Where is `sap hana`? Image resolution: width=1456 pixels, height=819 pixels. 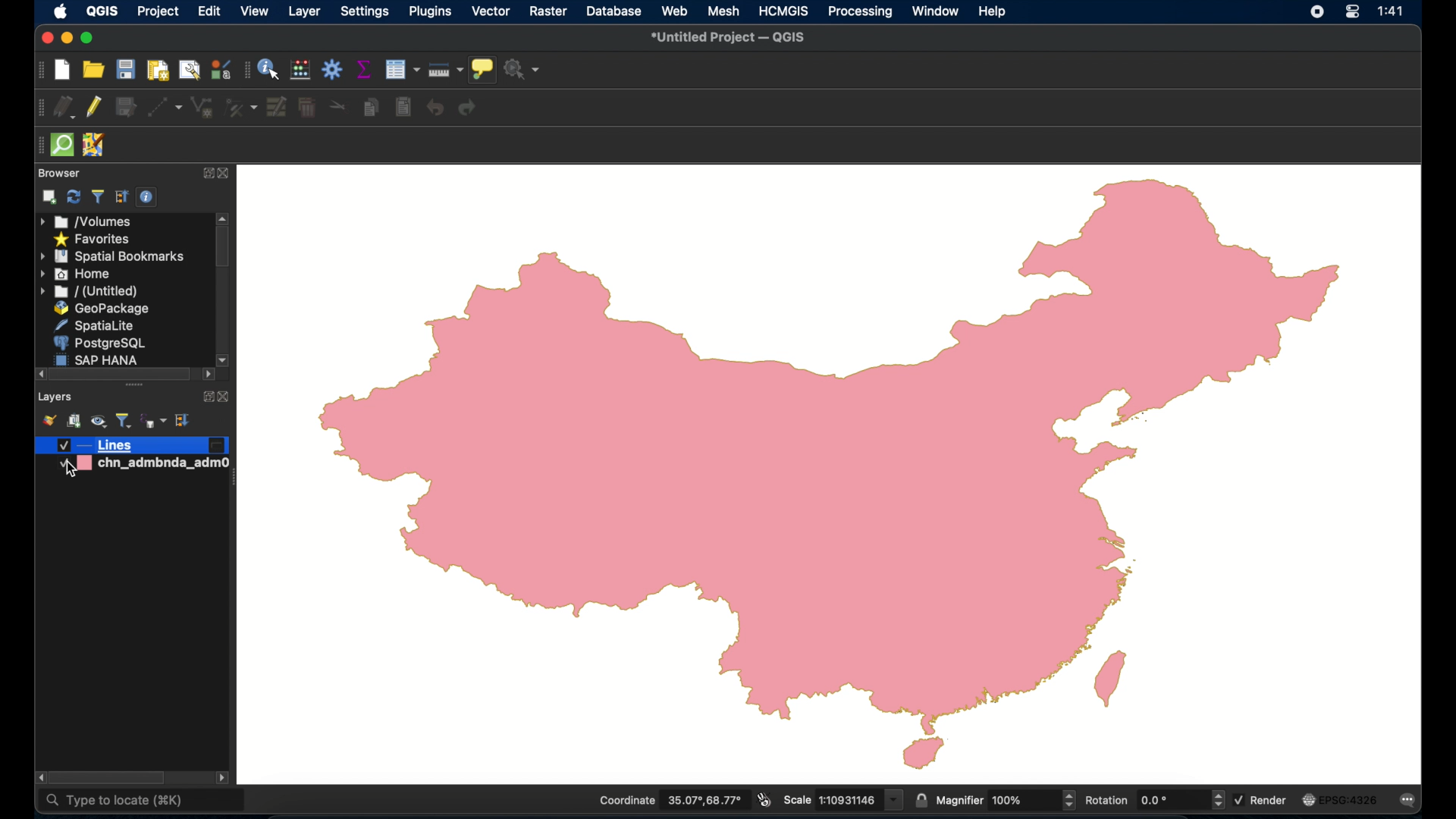
sap hana is located at coordinates (98, 359).